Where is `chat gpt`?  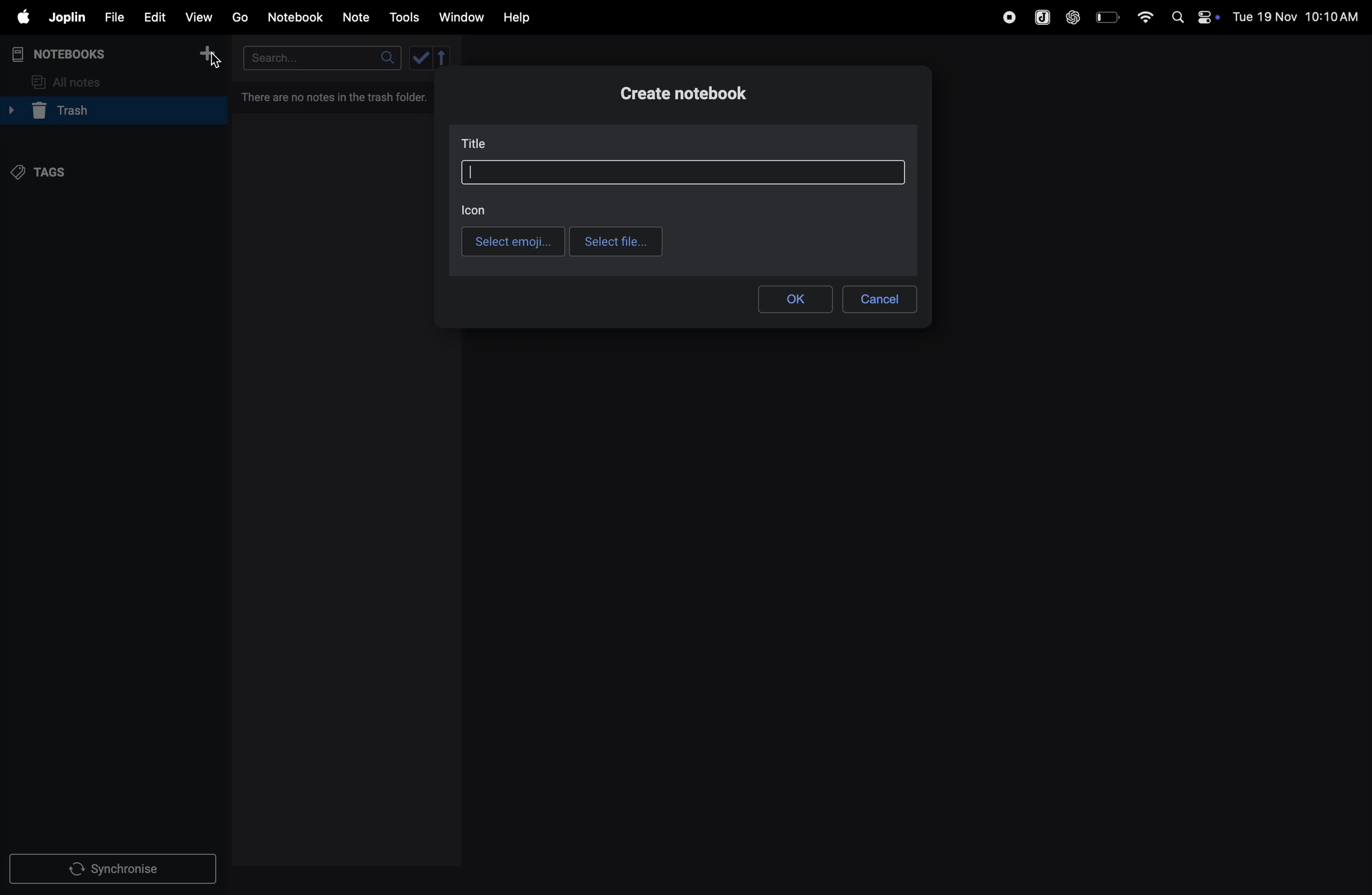
chat gpt is located at coordinates (1071, 17).